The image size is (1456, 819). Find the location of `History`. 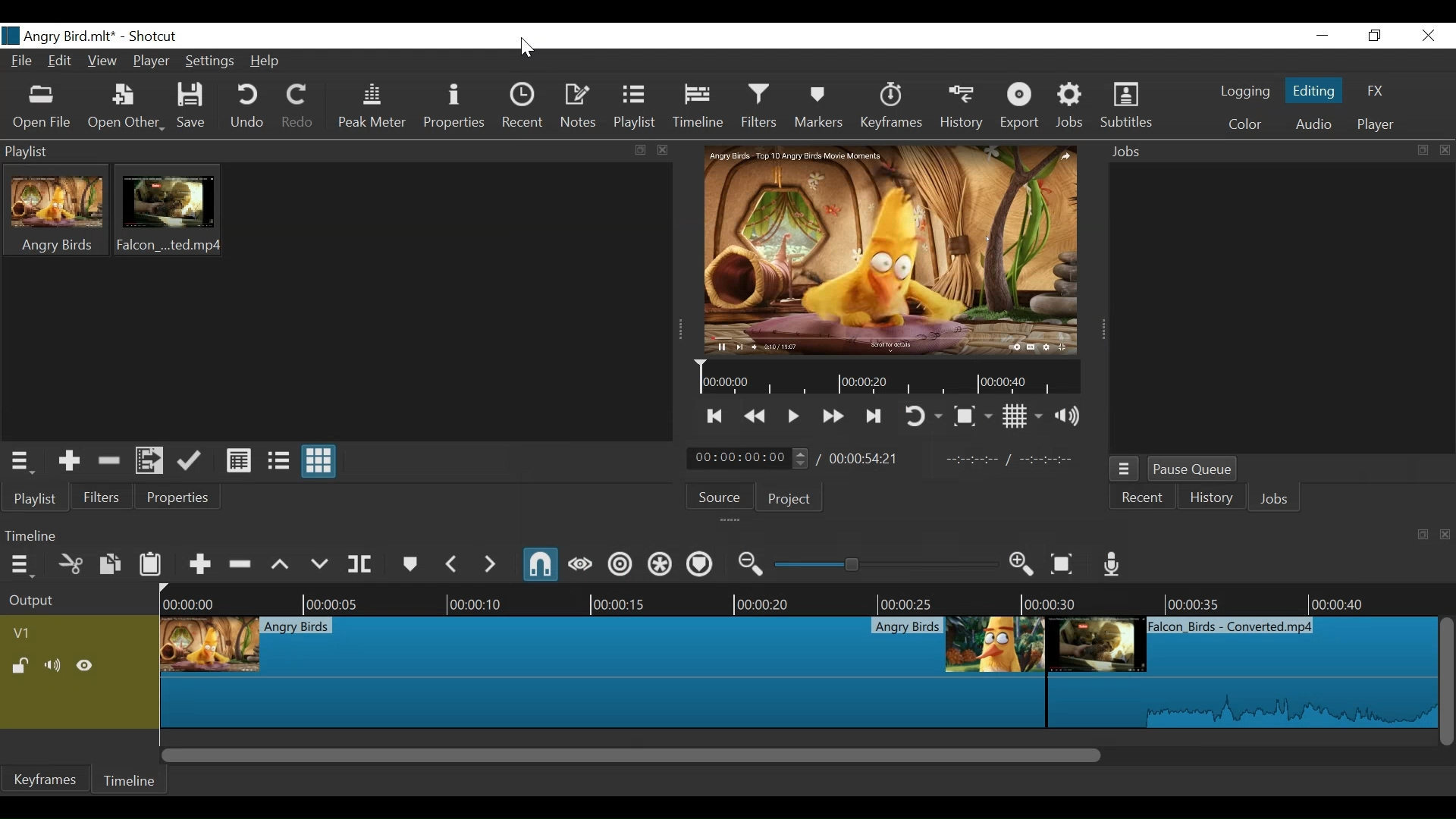

History is located at coordinates (963, 108).